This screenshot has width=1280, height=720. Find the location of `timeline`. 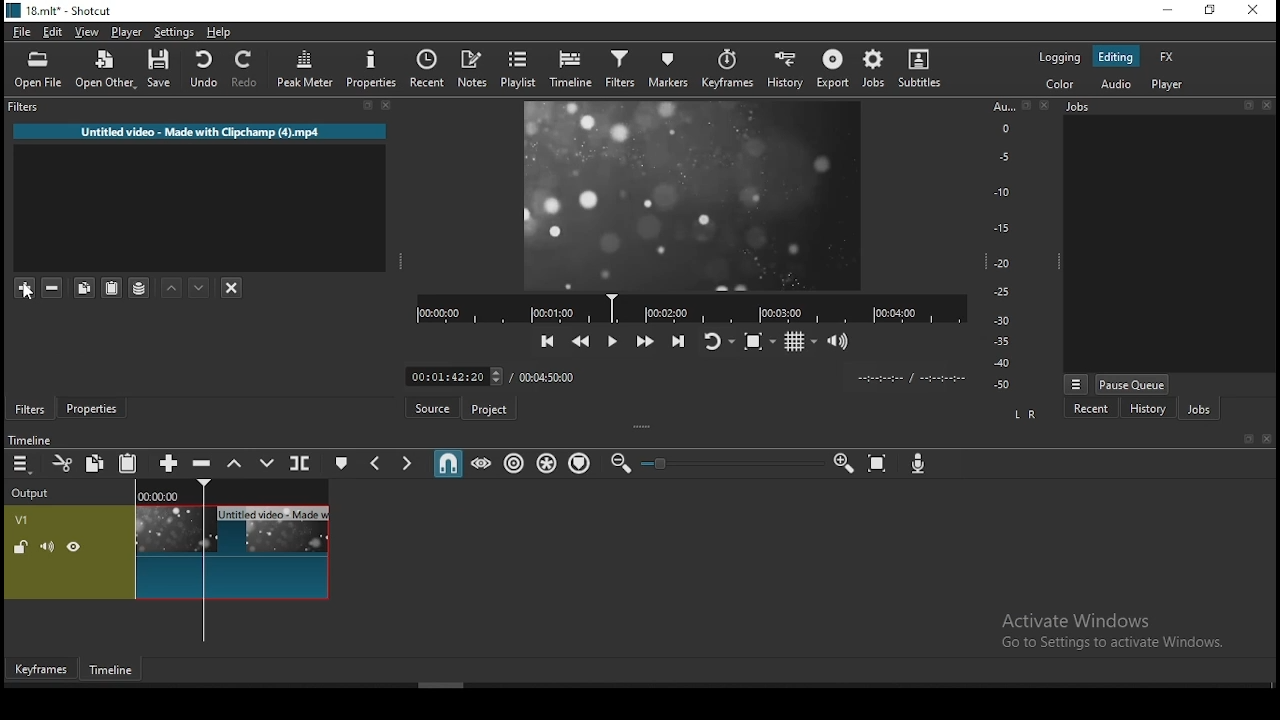

timeline is located at coordinates (113, 671).